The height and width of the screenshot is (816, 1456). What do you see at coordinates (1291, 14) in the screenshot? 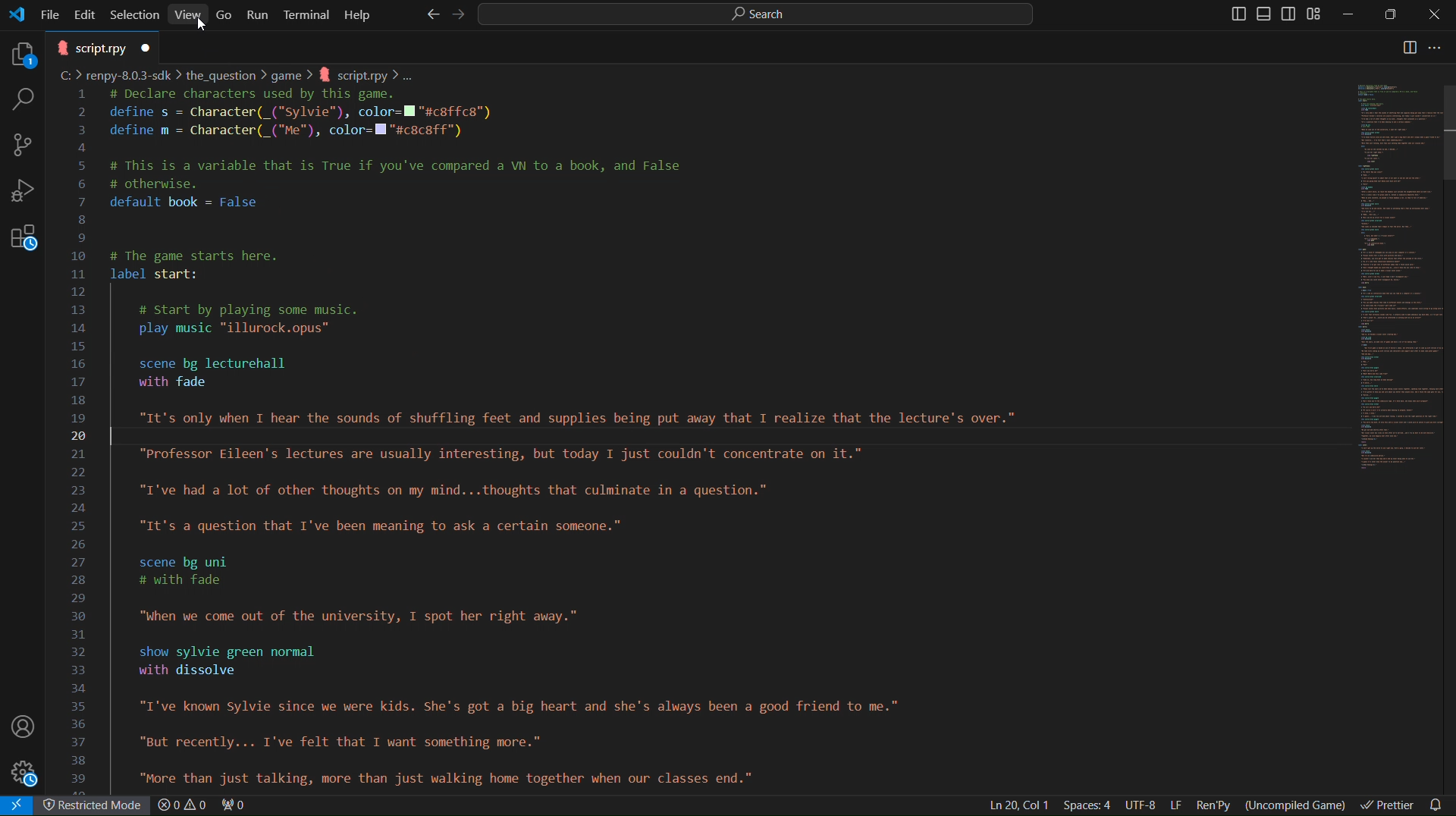
I see `Toggle Secondary Sidebar` at bounding box center [1291, 14].